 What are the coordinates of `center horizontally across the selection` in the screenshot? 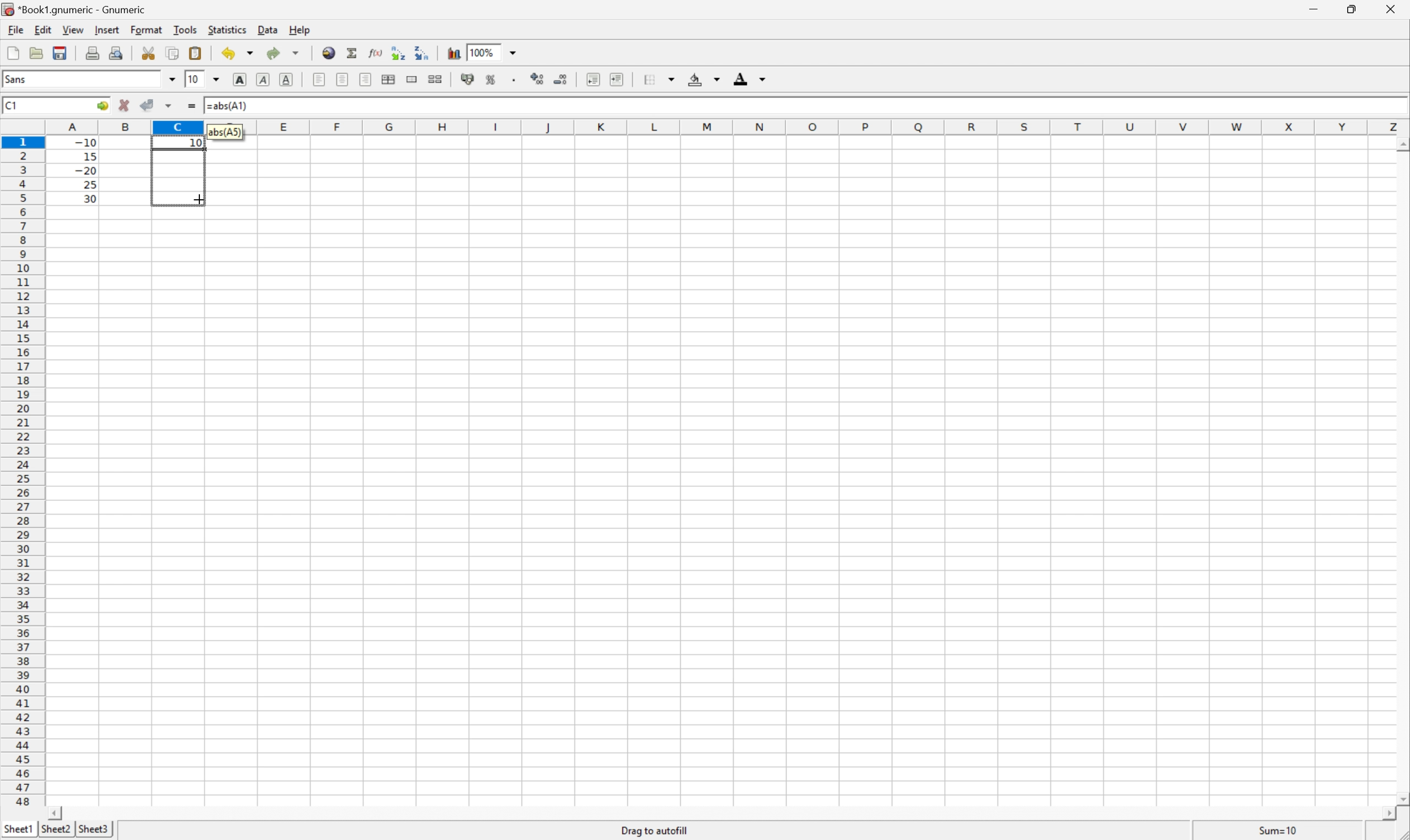 It's located at (390, 80).